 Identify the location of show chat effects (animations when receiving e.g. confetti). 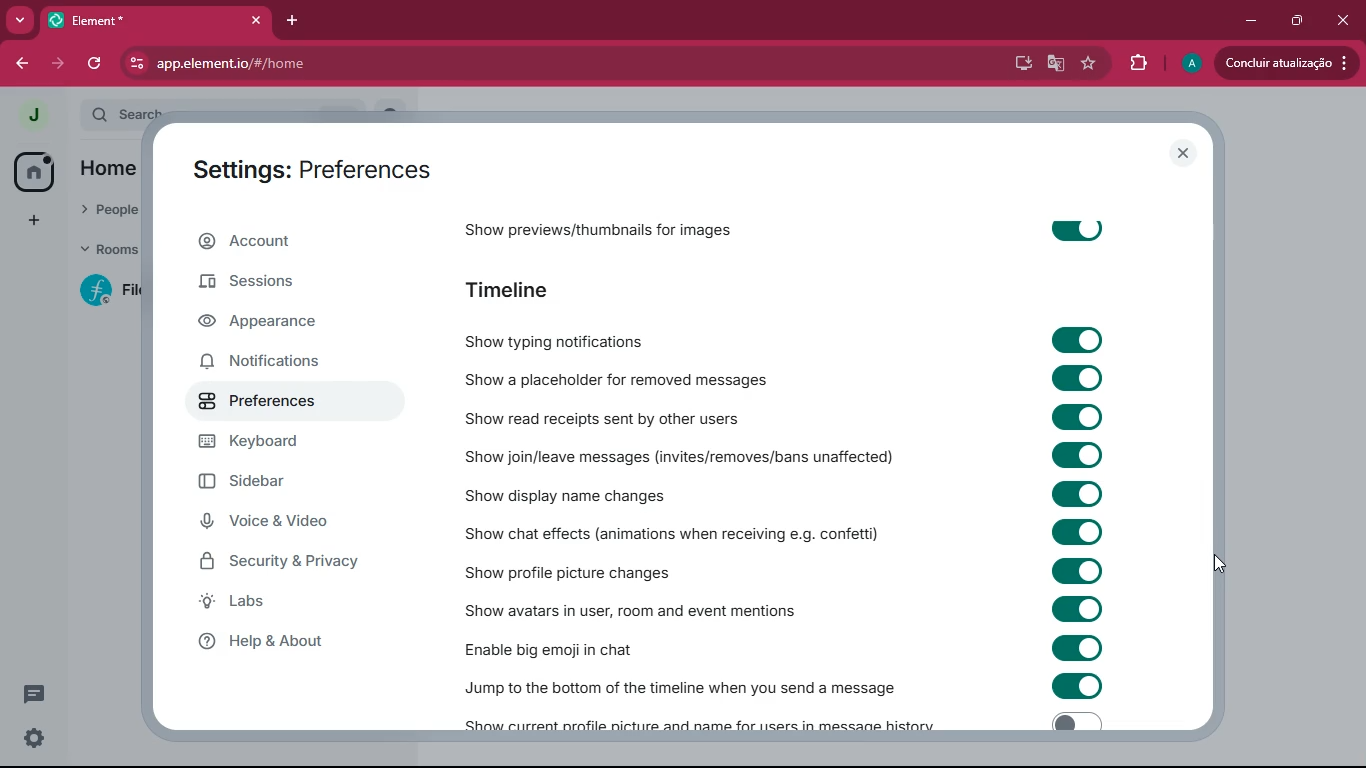
(668, 533).